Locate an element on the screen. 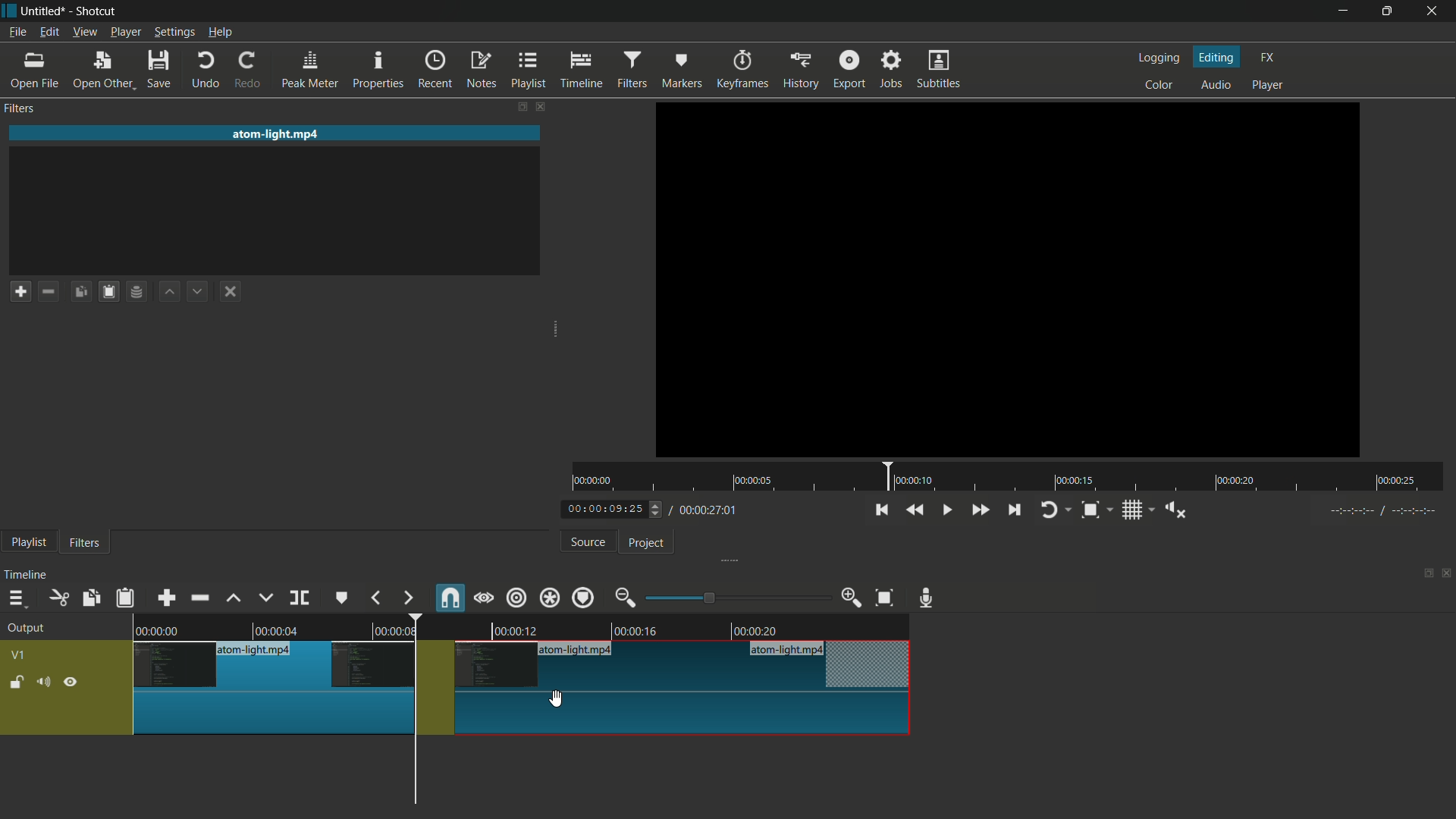 Image resolution: width=1456 pixels, height=819 pixels. zoom in is located at coordinates (852, 598).